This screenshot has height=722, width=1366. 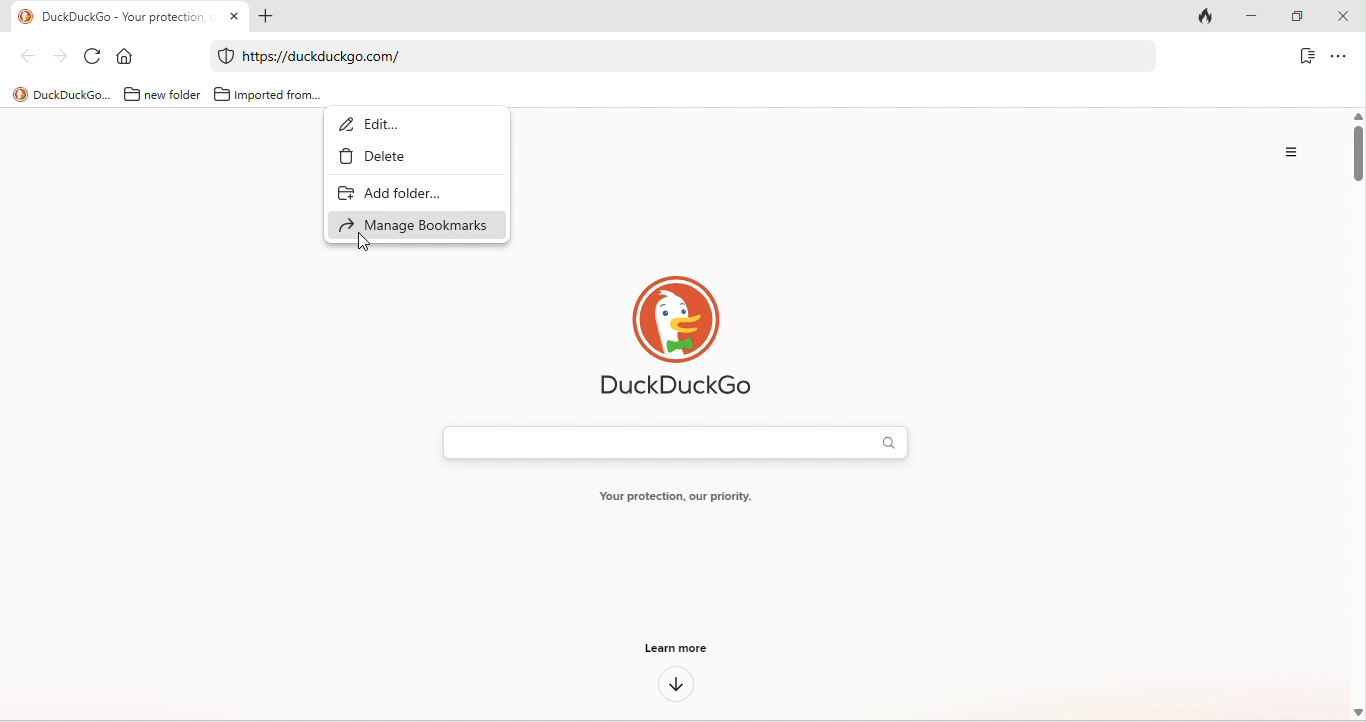 I want to click on minimize, so click(x=1260, y=17).